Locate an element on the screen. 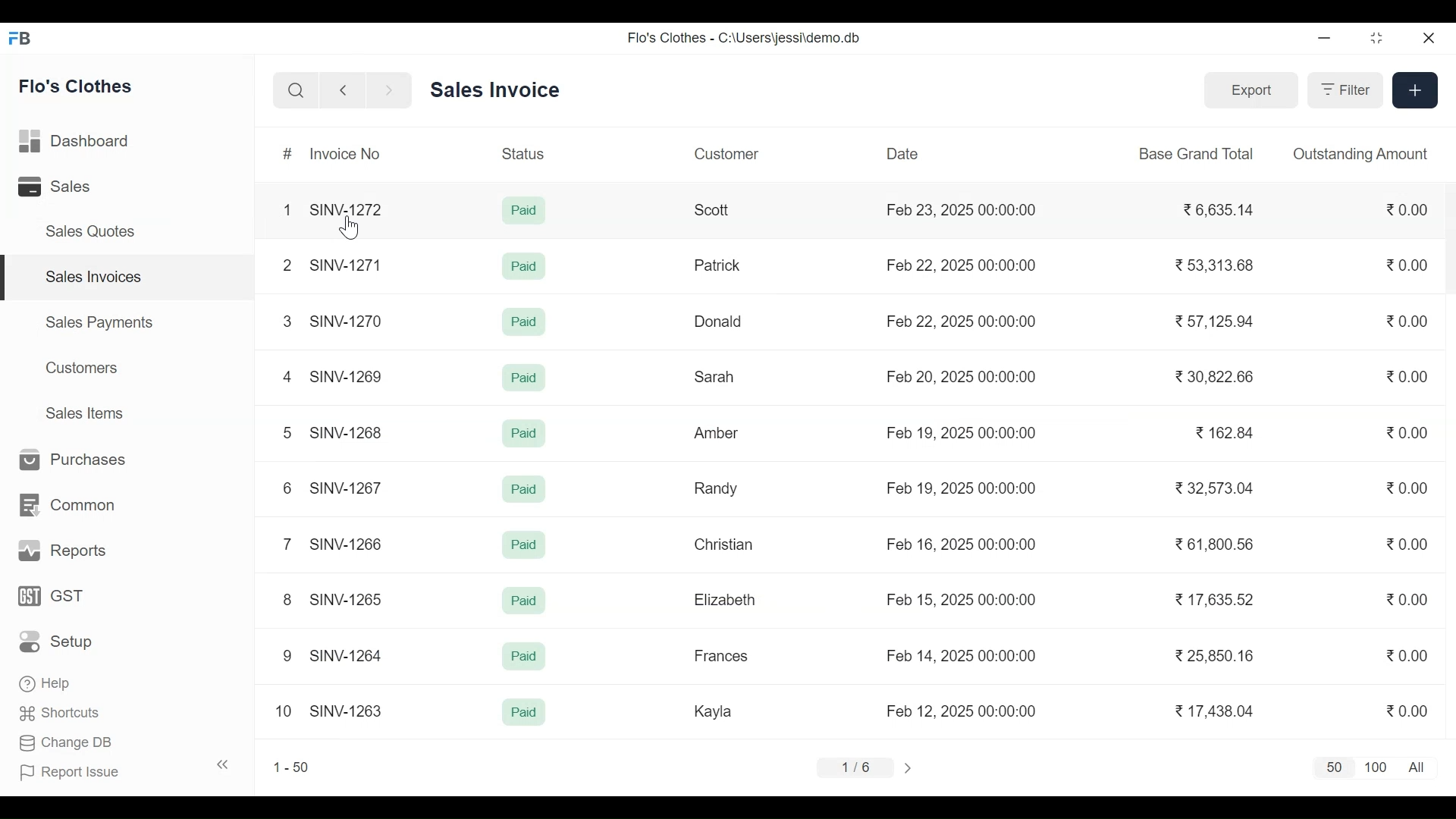 The image size is (1456, 819). Sarah is located at coordinates (711, 377).